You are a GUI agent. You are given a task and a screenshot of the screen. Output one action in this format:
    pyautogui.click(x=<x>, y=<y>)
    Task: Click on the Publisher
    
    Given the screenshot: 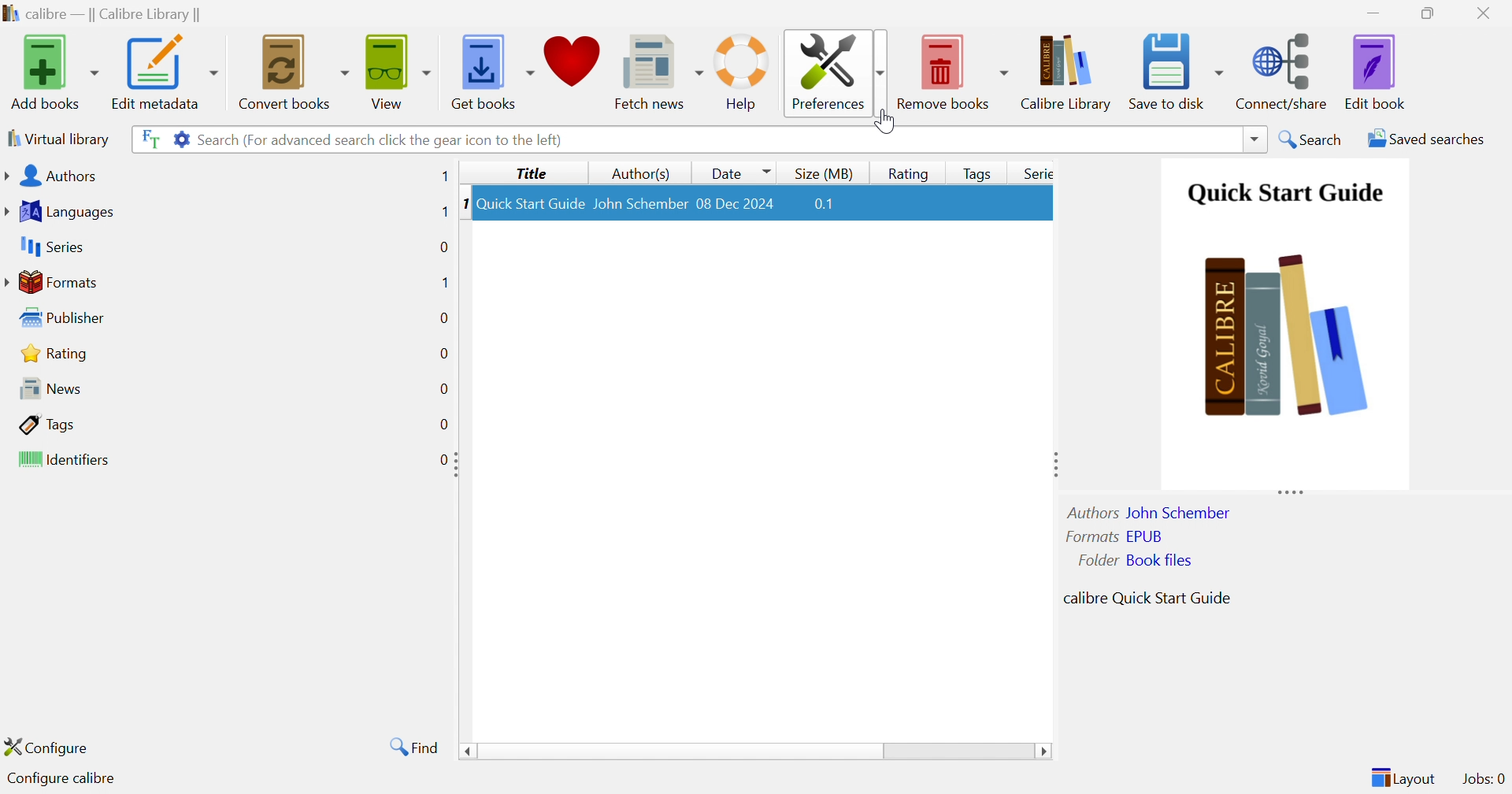 What is the action you would take?
    pyautogui.click(x=66, y=318)
    